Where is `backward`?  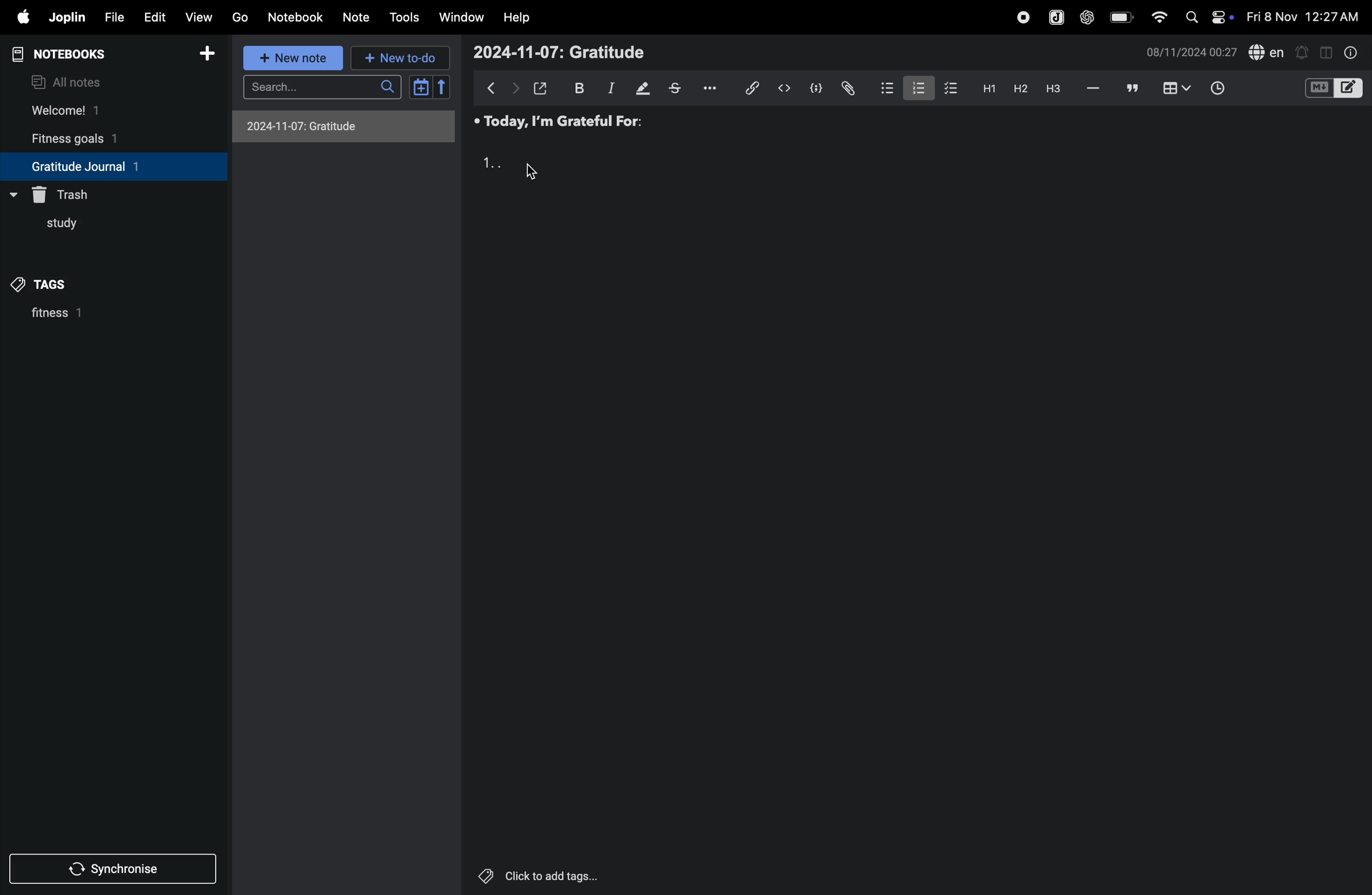 backward is located at coordinates (492, 88).